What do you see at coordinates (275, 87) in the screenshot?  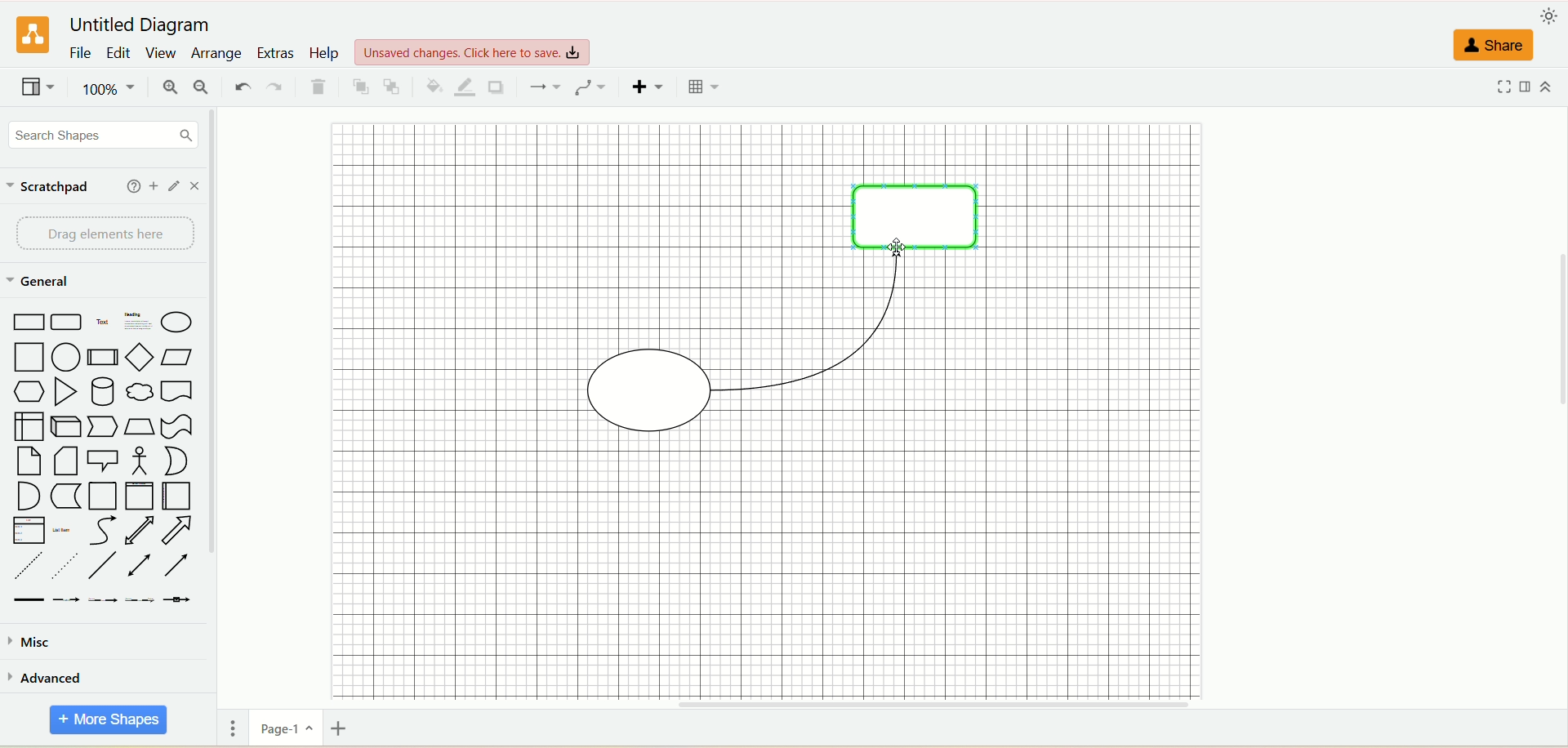 I see `redo` at bounding box center [275, 87].